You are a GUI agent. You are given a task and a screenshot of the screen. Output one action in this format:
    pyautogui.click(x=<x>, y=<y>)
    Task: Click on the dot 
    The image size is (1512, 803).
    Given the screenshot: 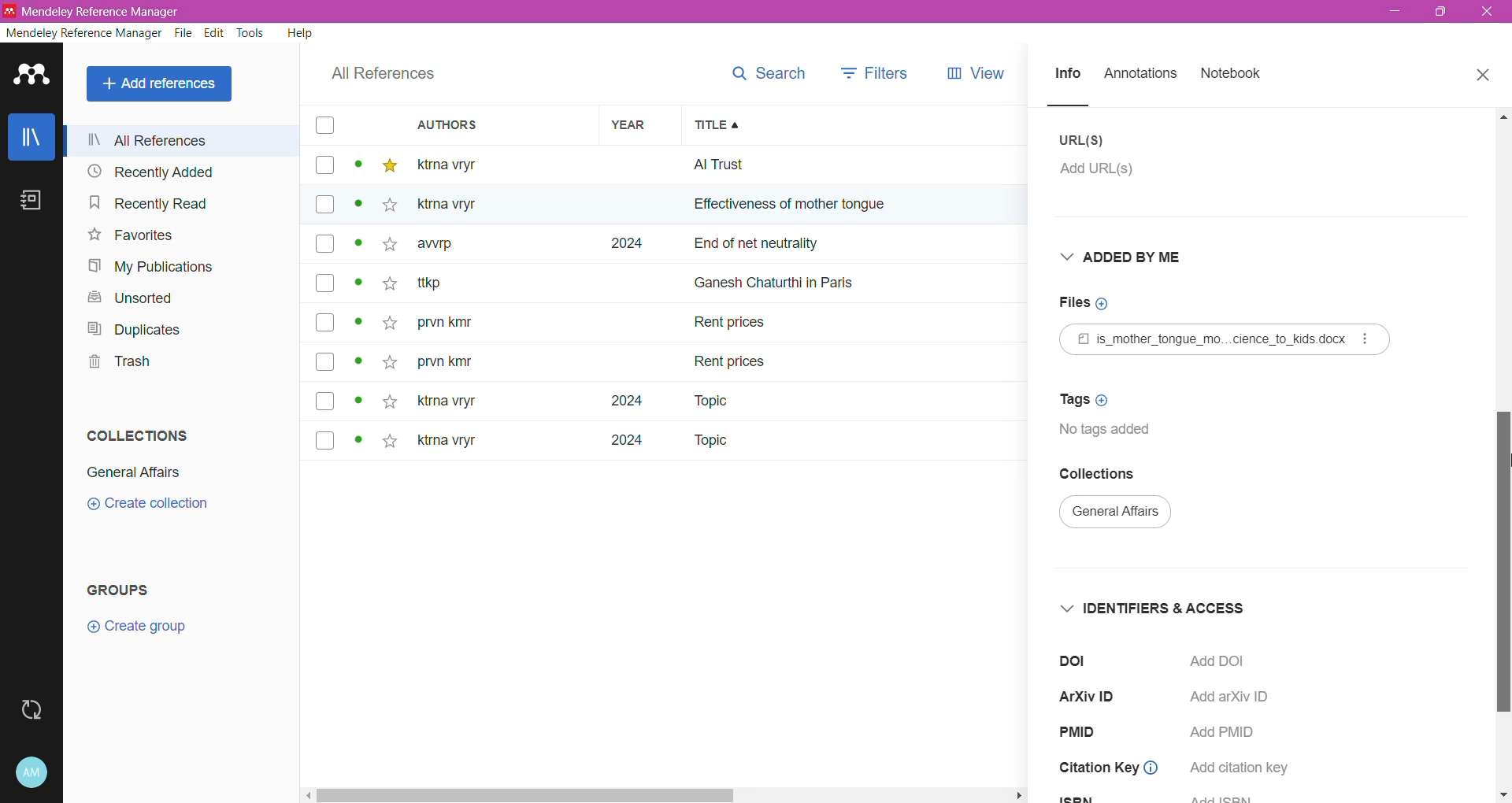 What is the action you would take?
    pyautogui.click(x=357, y=168)
    